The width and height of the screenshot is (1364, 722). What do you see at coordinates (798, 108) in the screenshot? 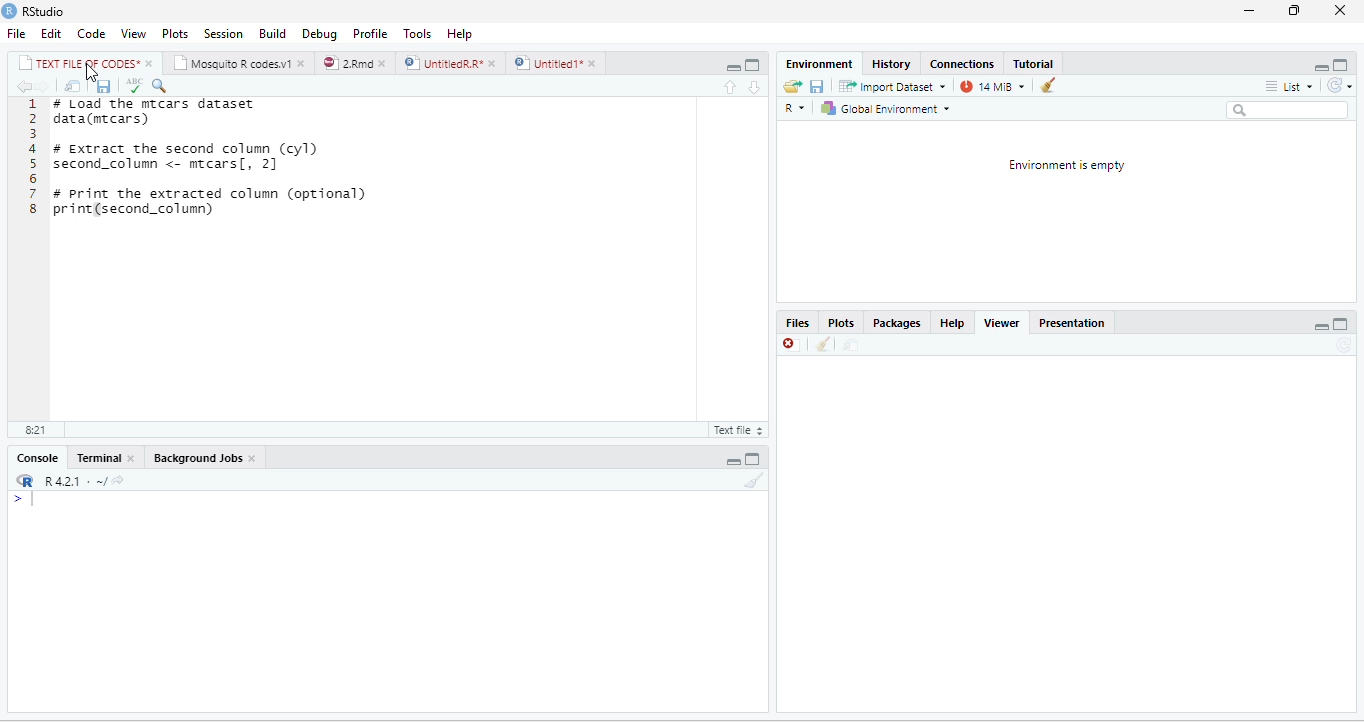
I see `R` at bounding box center [798, 108].